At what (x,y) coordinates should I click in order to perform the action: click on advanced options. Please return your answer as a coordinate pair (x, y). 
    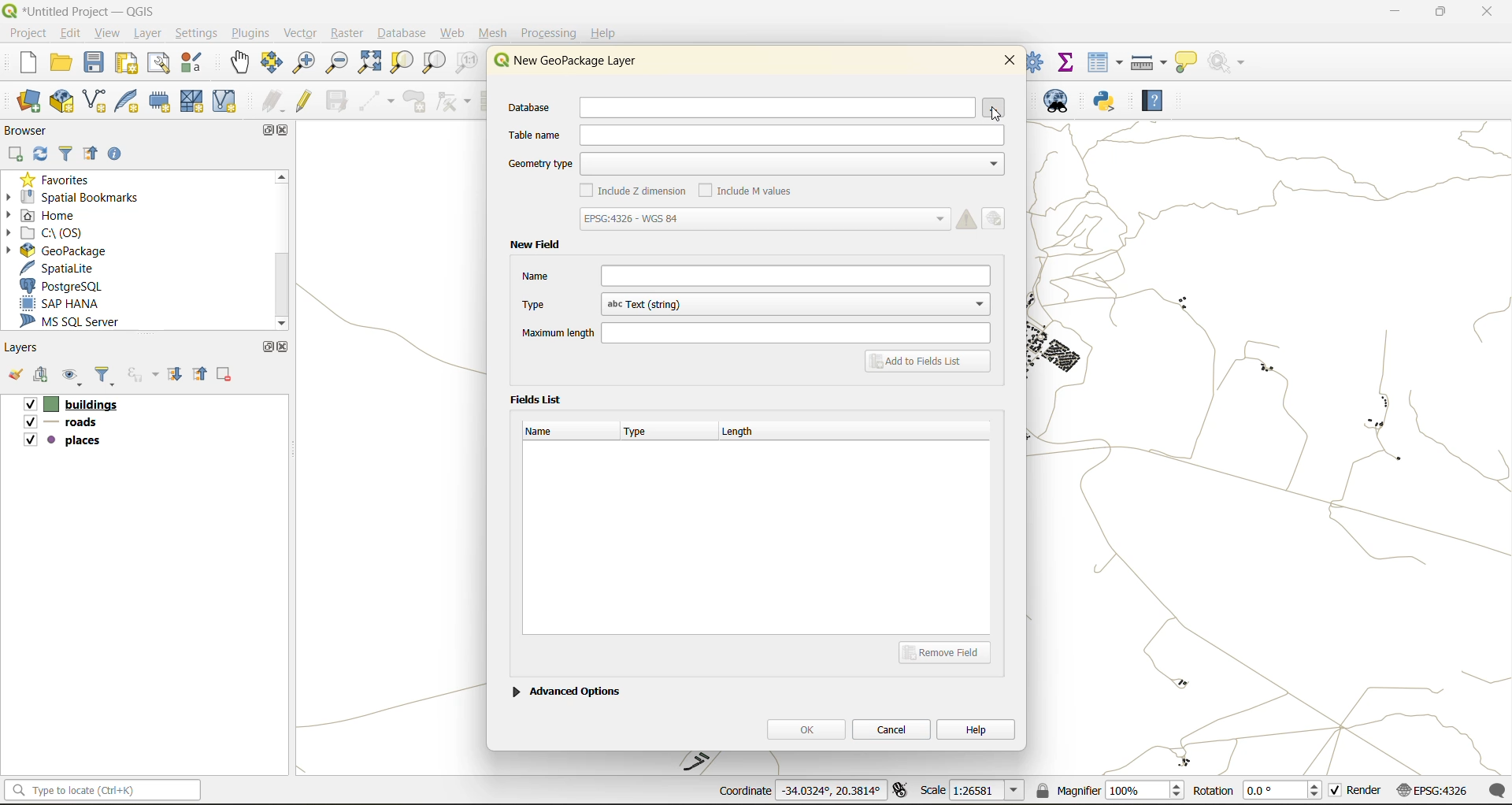
    Looking at the image, I should click on (566, 689).